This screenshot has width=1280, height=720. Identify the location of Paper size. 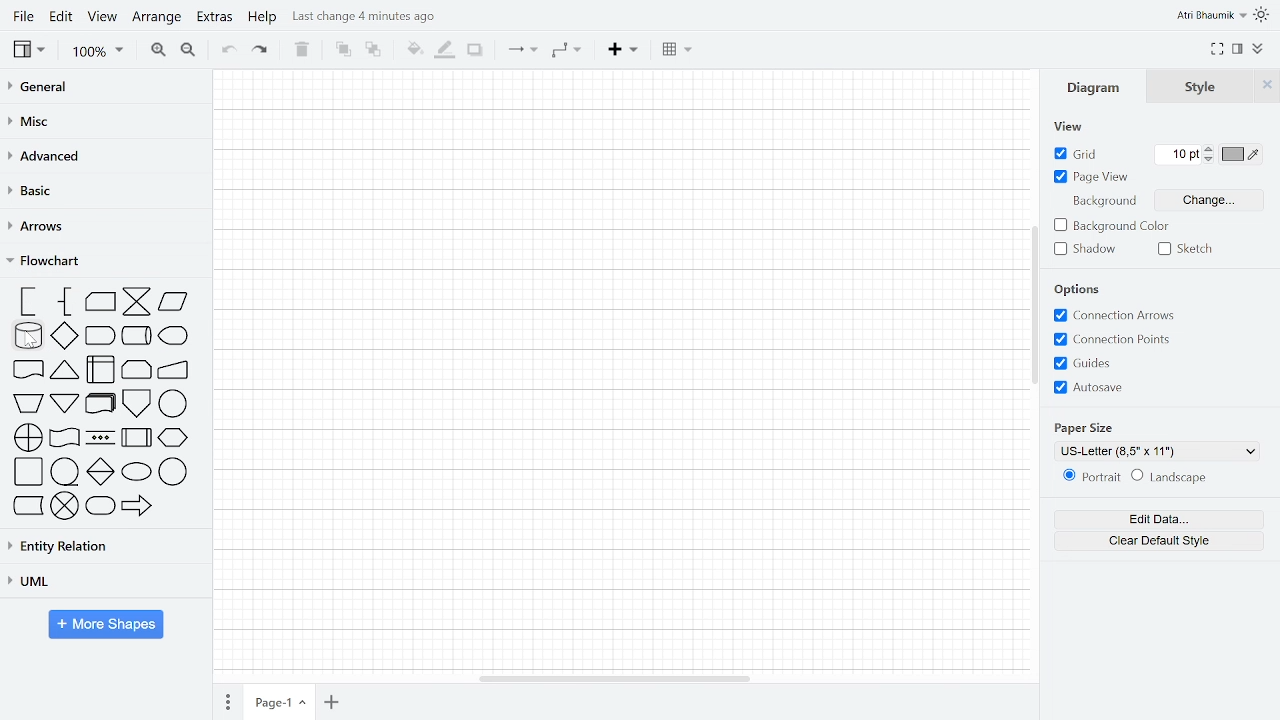
(1155, 450).